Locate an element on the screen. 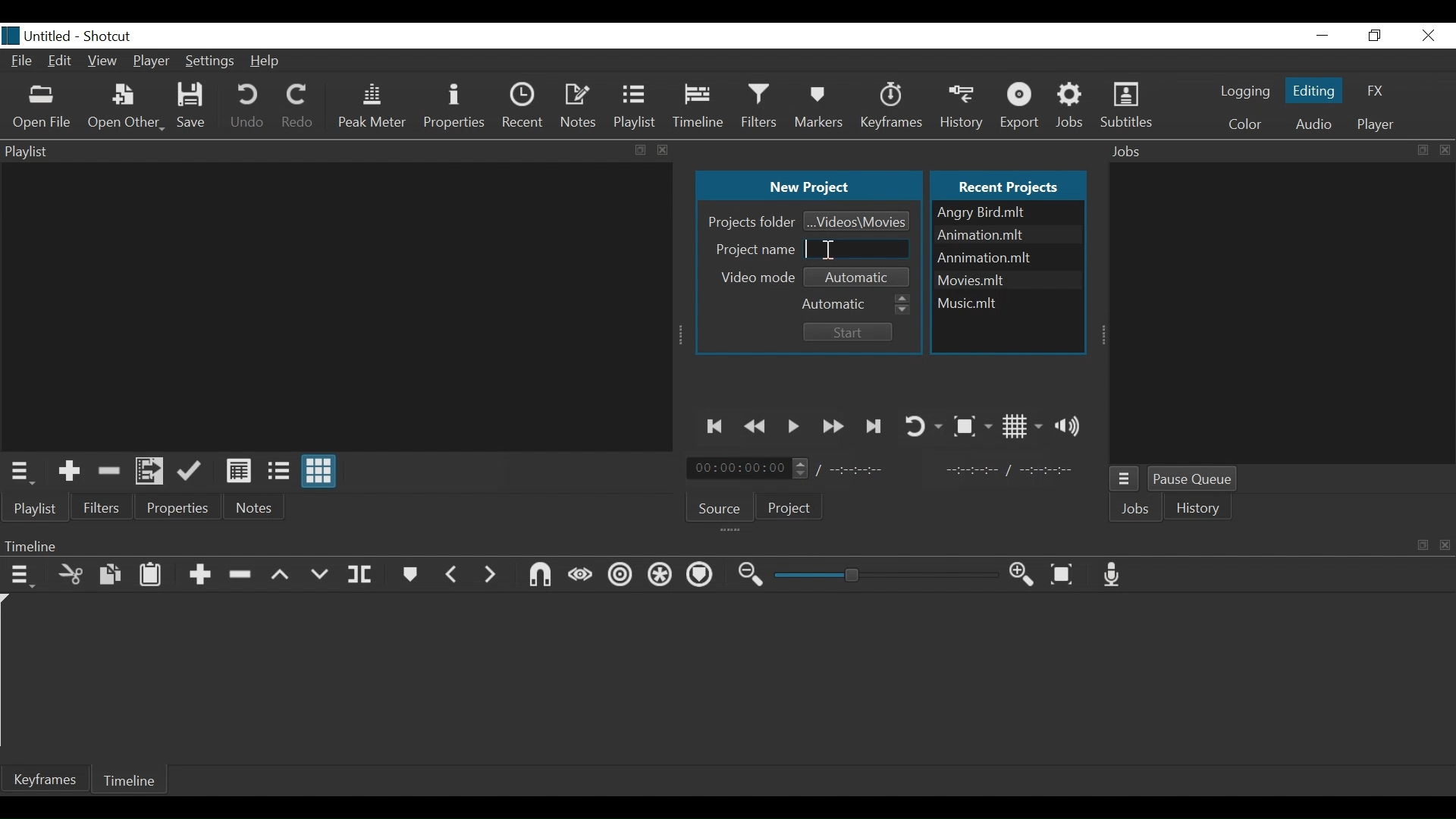  Notes is located at coordinates (579, 104).